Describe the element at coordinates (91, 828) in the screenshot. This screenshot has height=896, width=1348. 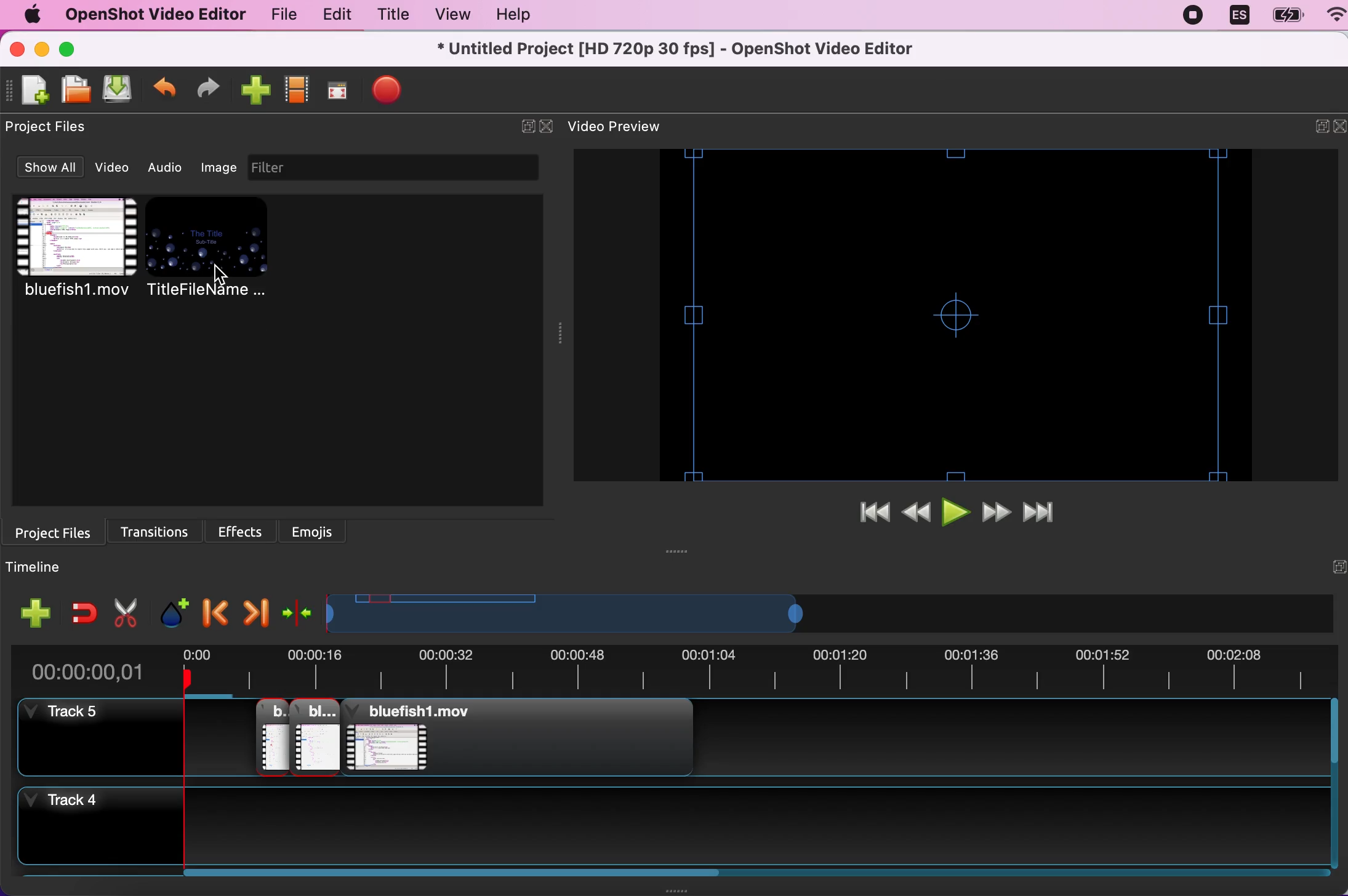
I see `track 4` at that location.